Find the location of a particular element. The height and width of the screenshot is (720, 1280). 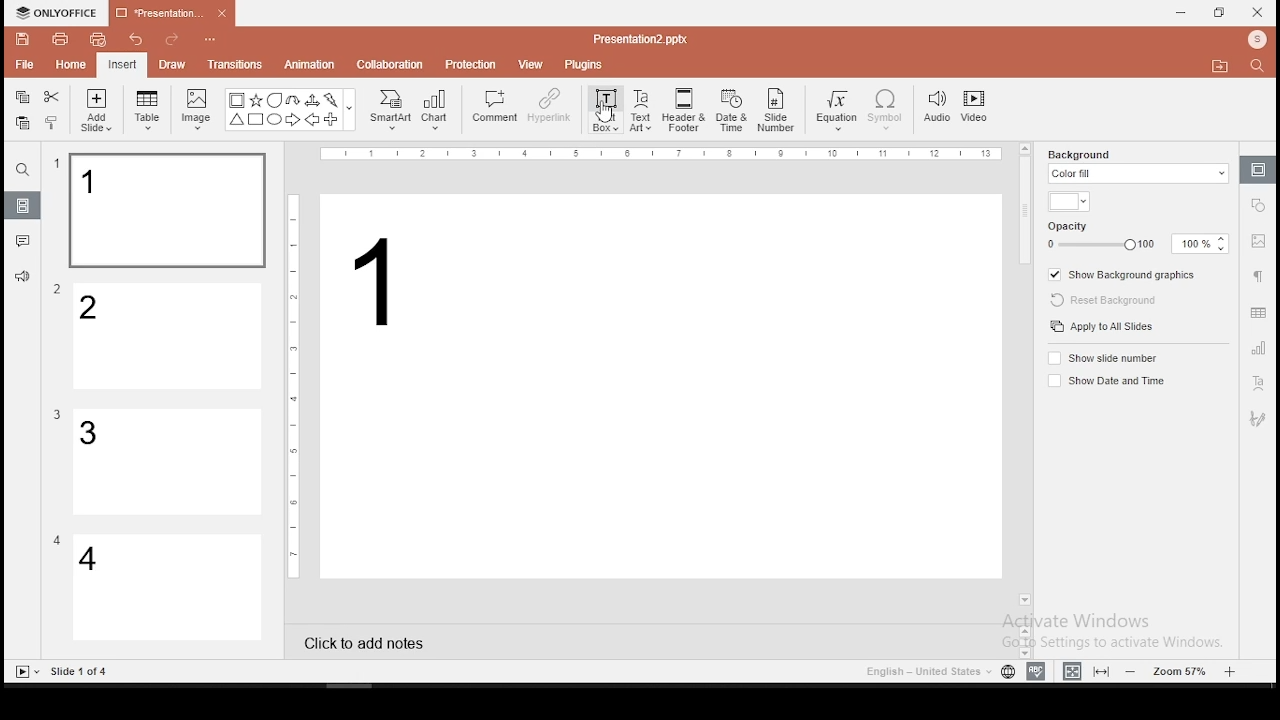

show background graphics on/off is located at coordinates (1121, 276).